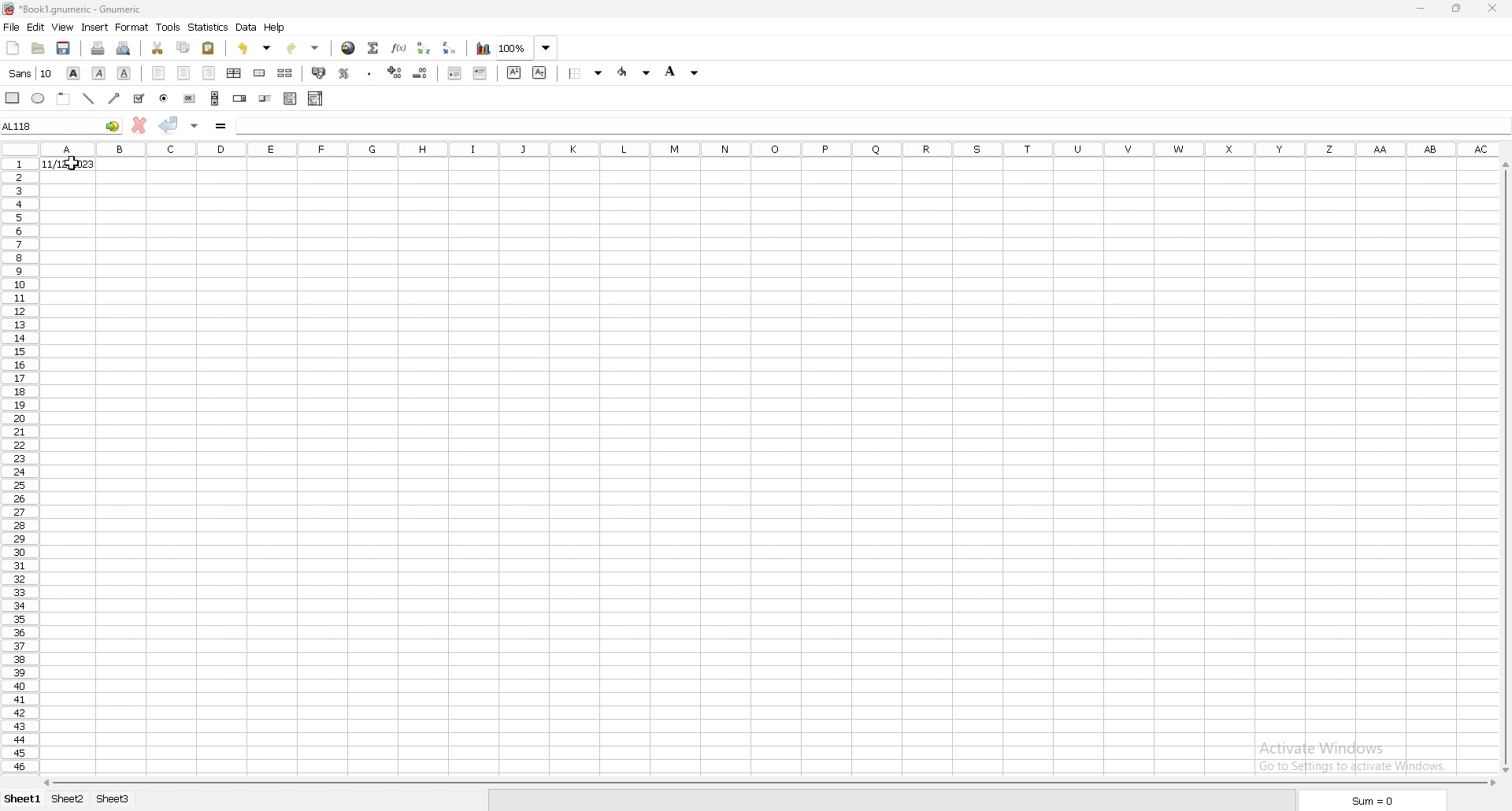 The image size is (1512, 811). I want to click on zoom, so click(528, 47).